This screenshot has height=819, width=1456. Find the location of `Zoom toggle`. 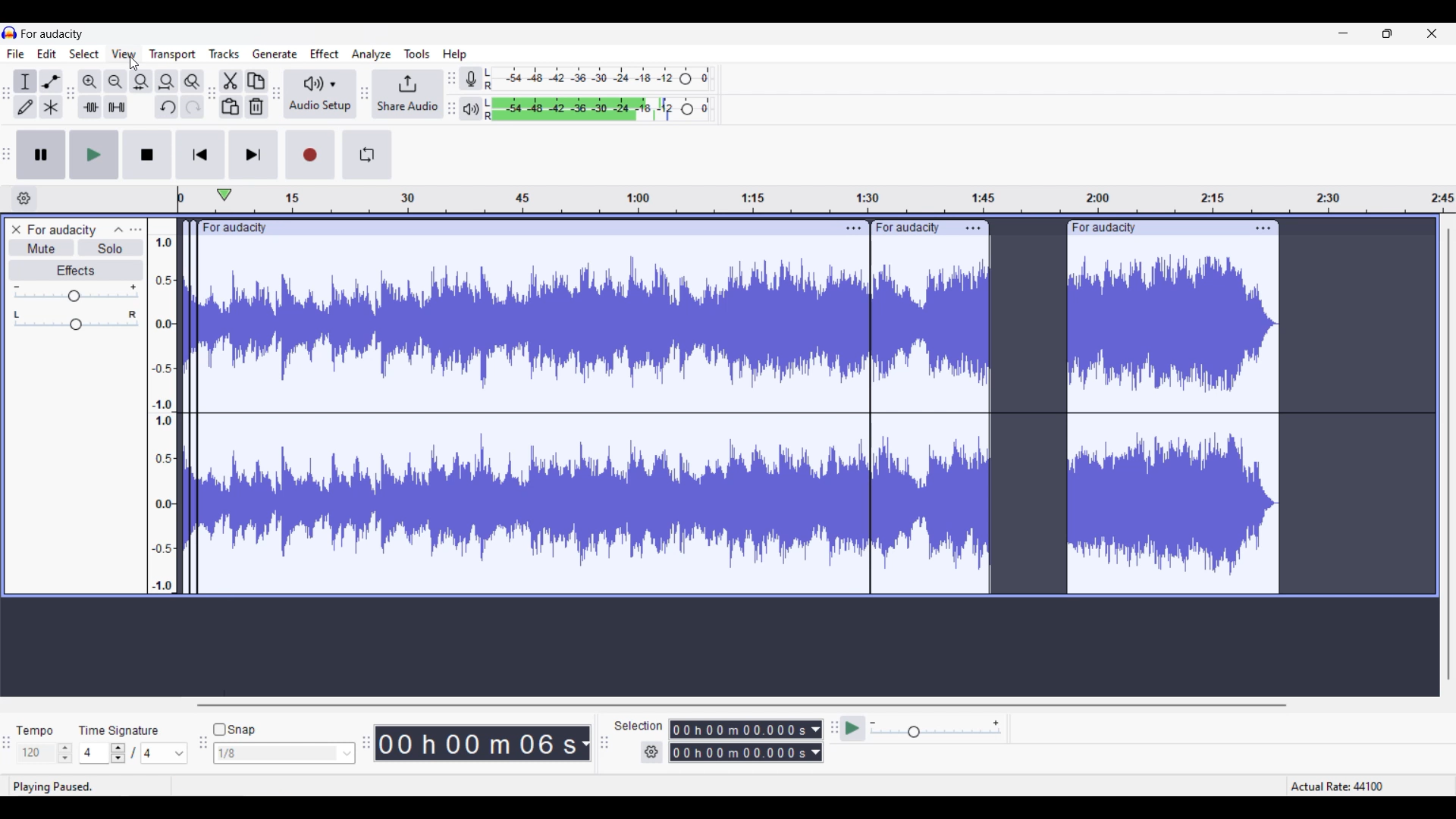

Zoom toggle is located at coordinates (192, 82).